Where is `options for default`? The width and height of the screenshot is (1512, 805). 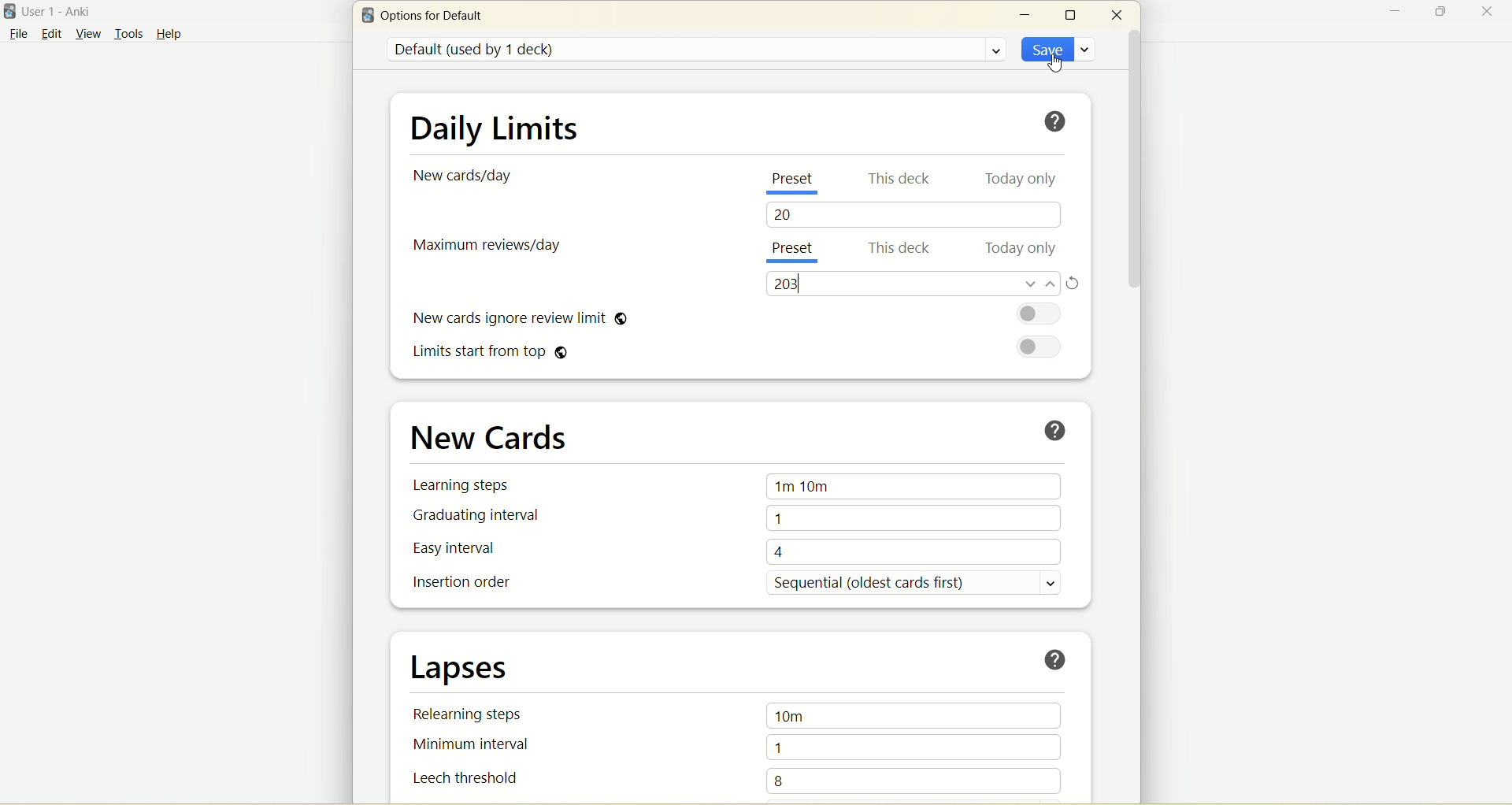 options for default is located at coordinates (438, 18).